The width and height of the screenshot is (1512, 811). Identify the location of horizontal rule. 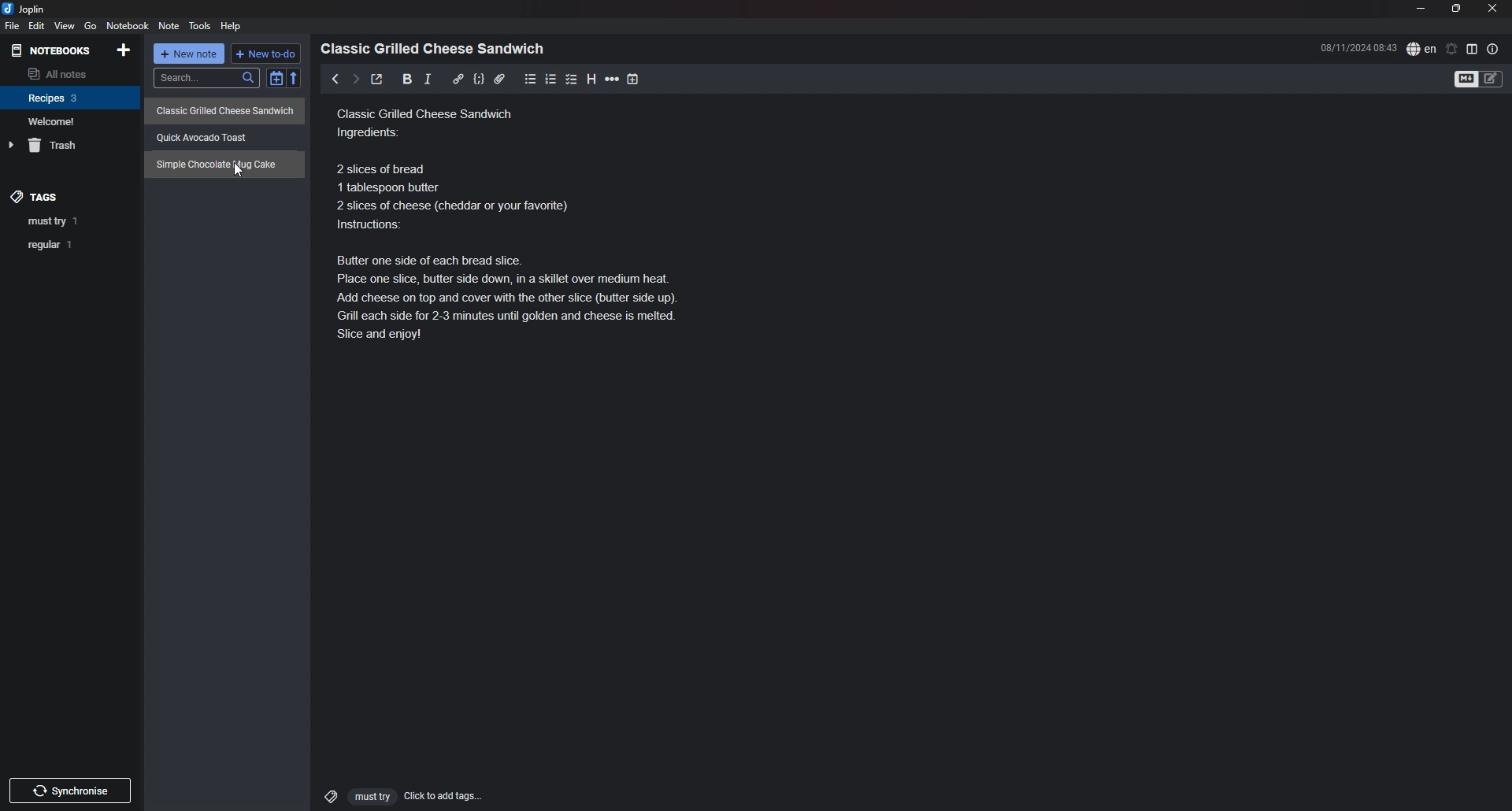
(613, 79).